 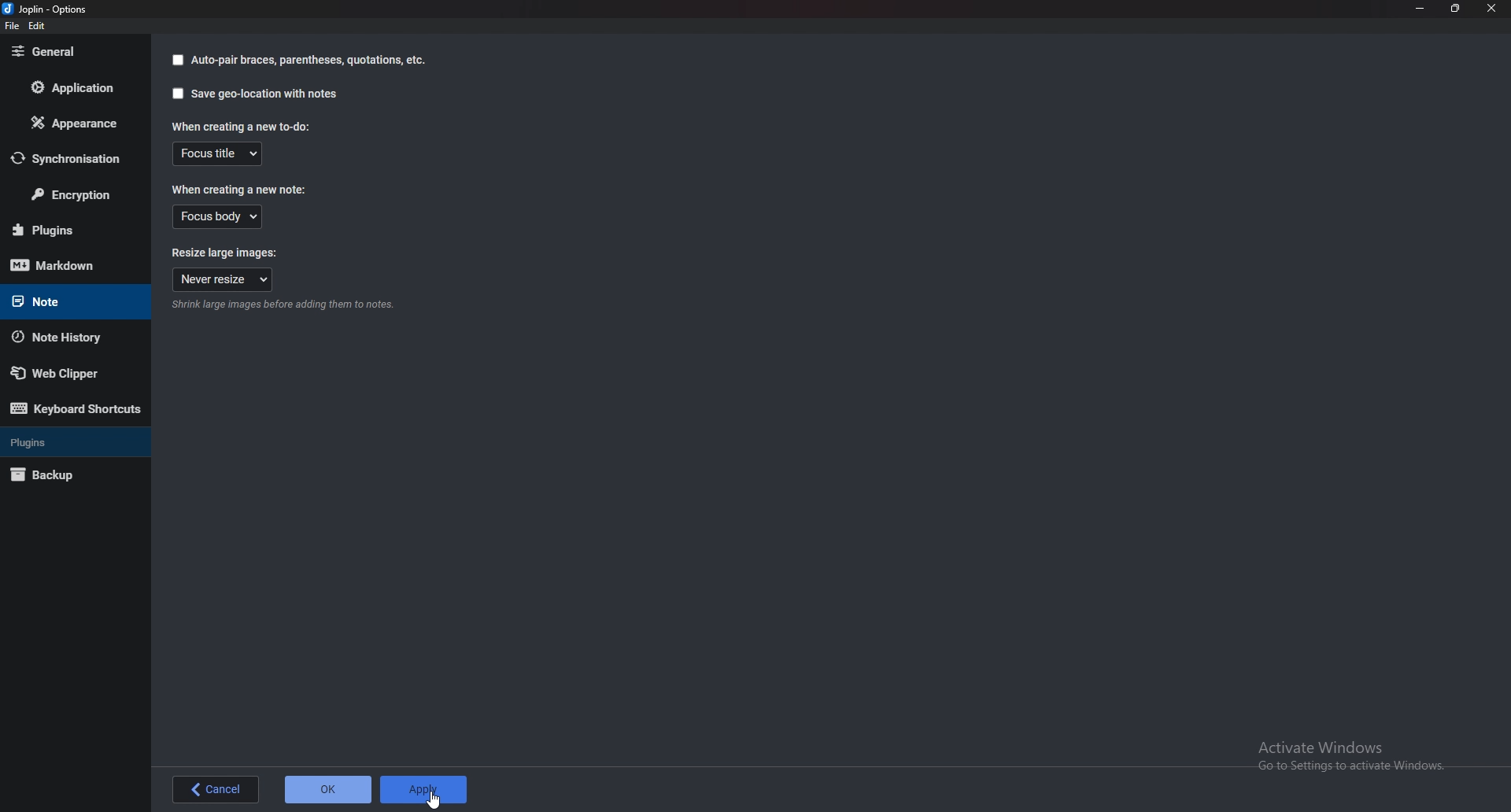 I want to click on Checkbox , so click(x=175, y=94).